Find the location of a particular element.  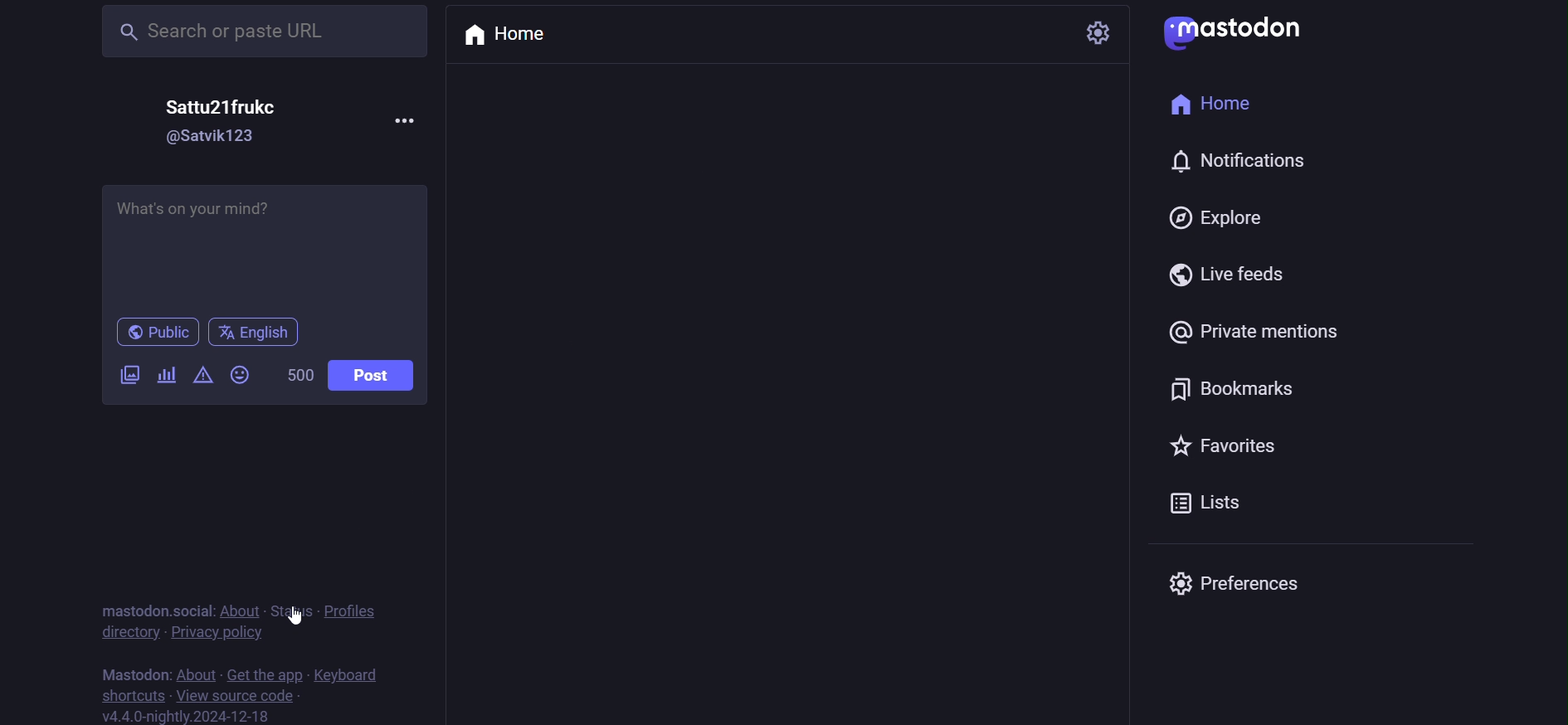

favorites is located at coordinates (1226, 445).